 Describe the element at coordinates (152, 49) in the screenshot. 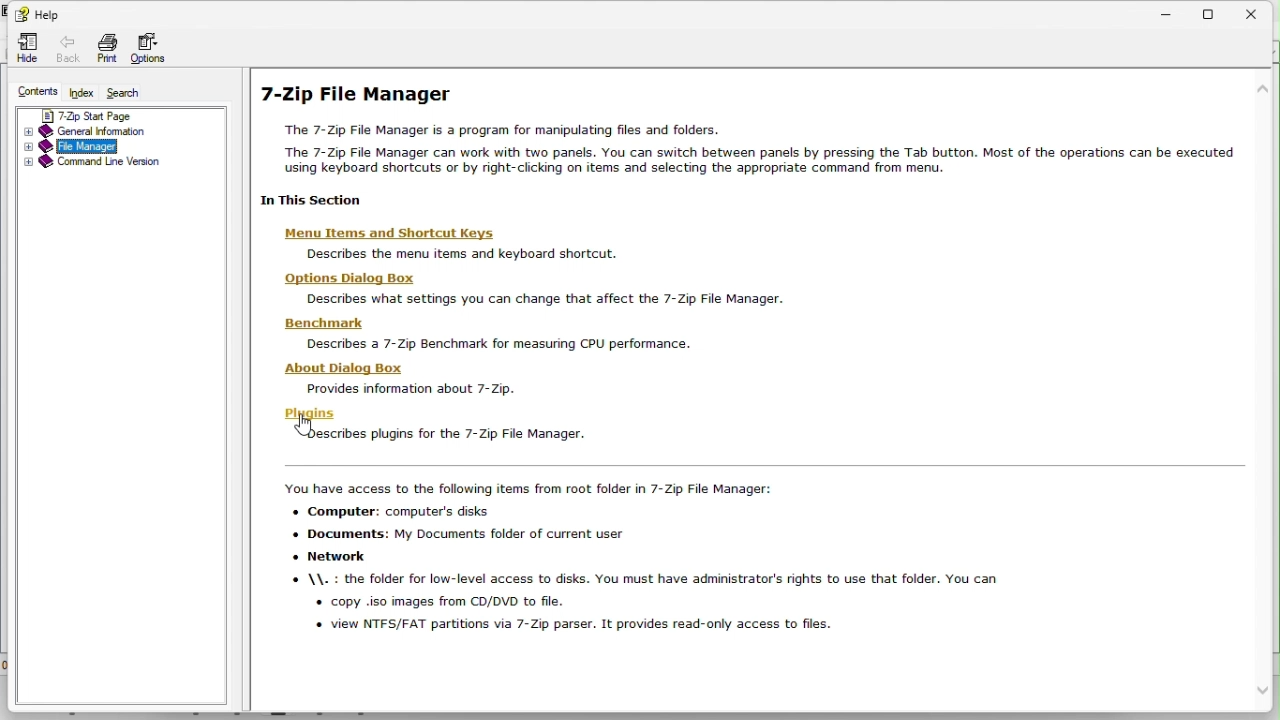

I see `Options` at that location.